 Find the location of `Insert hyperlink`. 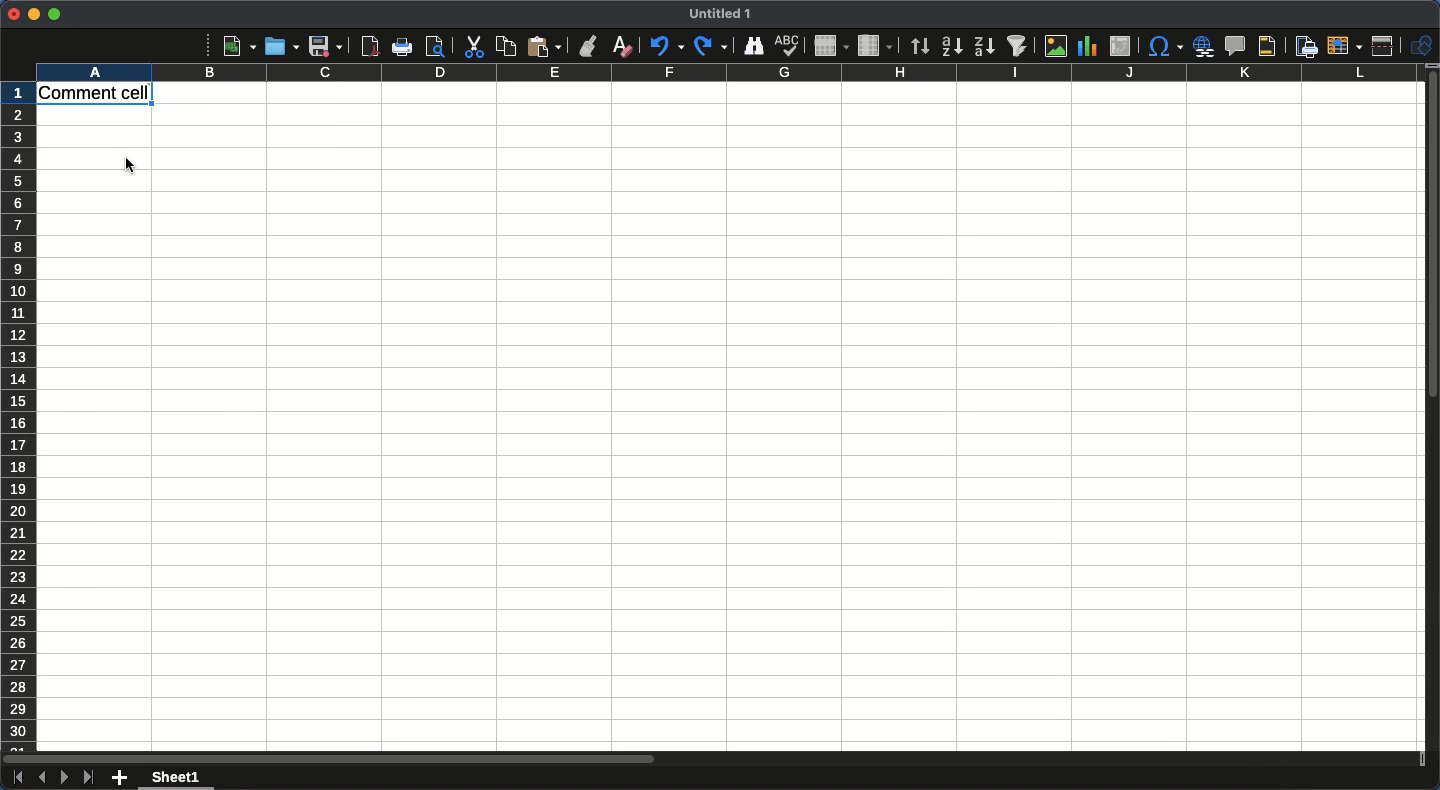

Insert hyperlink is located at coordinates (1202, 45).